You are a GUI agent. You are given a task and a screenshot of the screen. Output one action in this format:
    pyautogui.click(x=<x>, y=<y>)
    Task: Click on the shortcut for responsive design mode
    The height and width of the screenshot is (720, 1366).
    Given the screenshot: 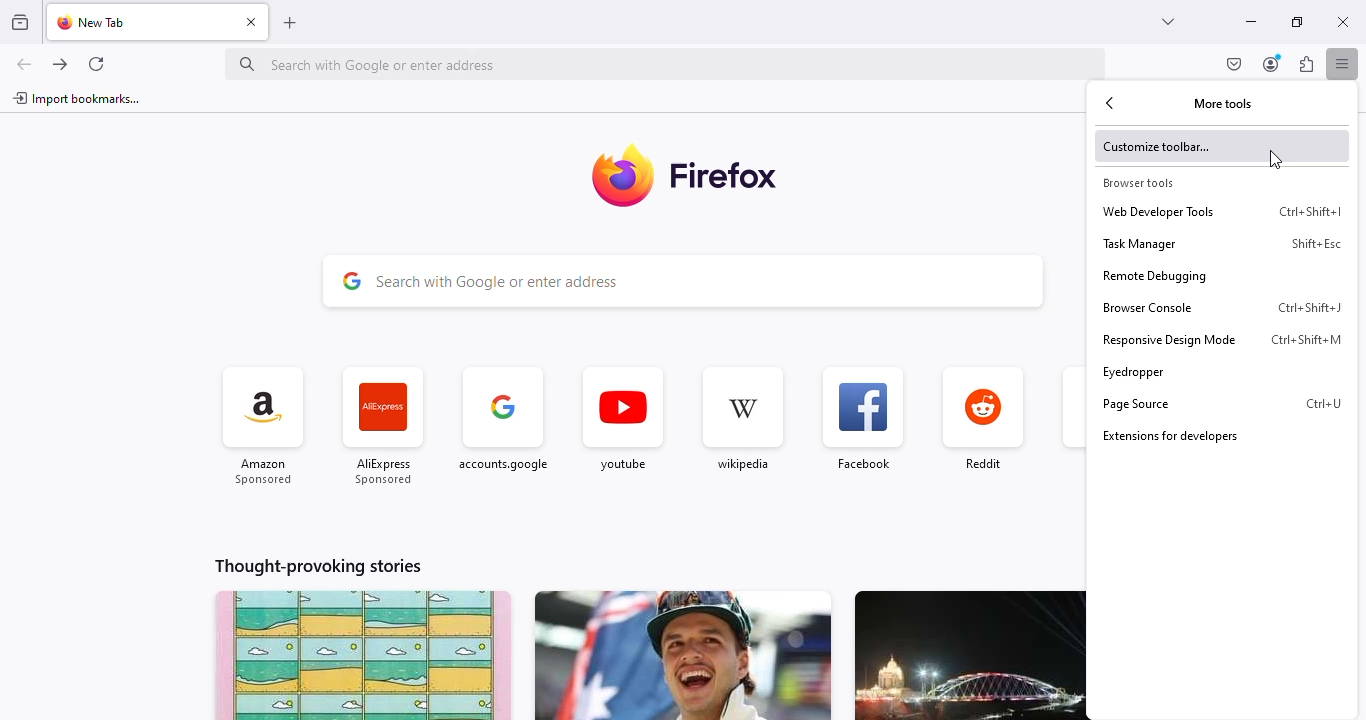 What is the action you would take?
    pyautogui.click(x=1307, y=340)
    